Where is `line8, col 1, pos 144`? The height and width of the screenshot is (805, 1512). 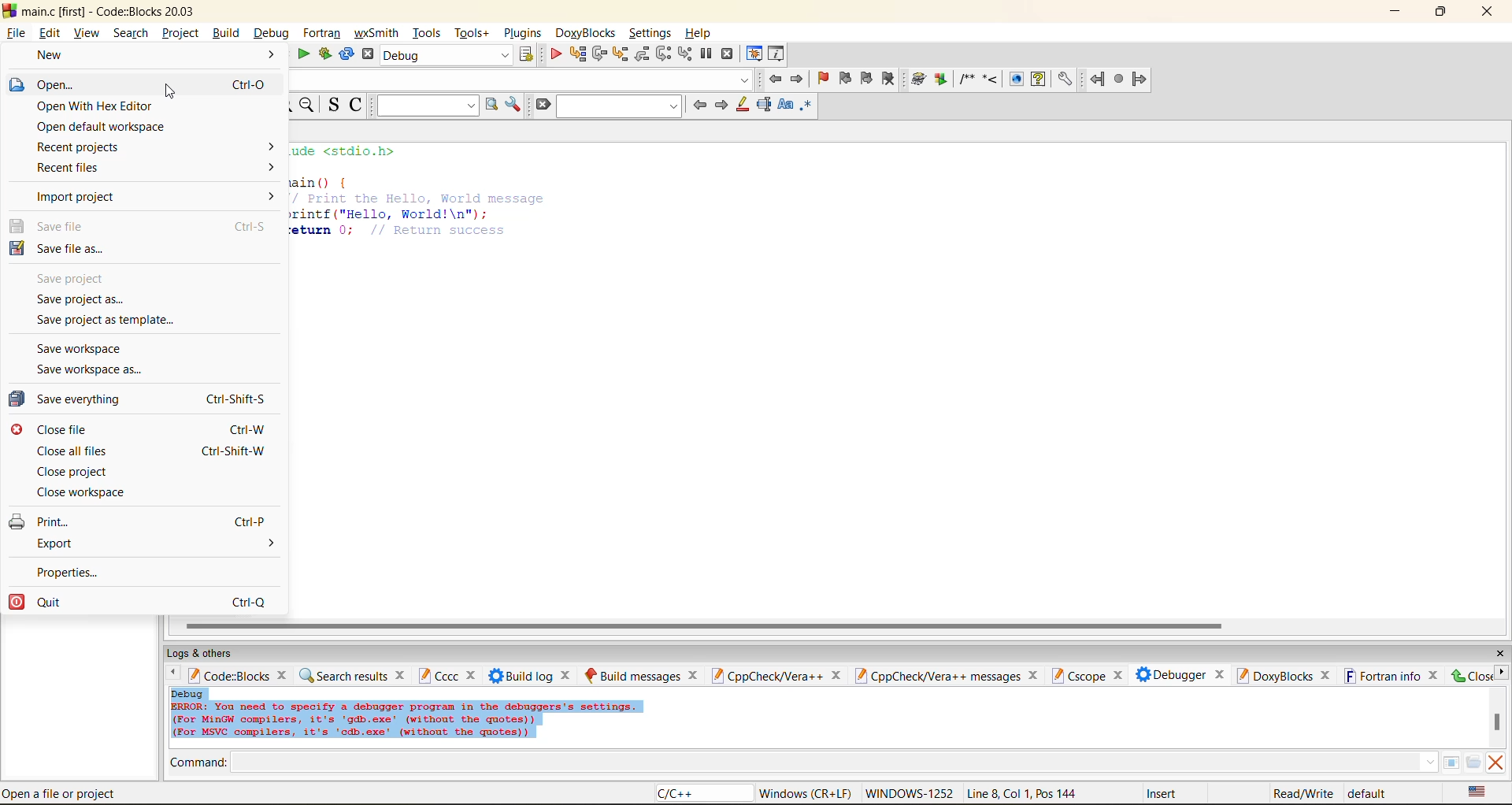
line8, col 1, pos 144 is located at coordinates (1025, 793).